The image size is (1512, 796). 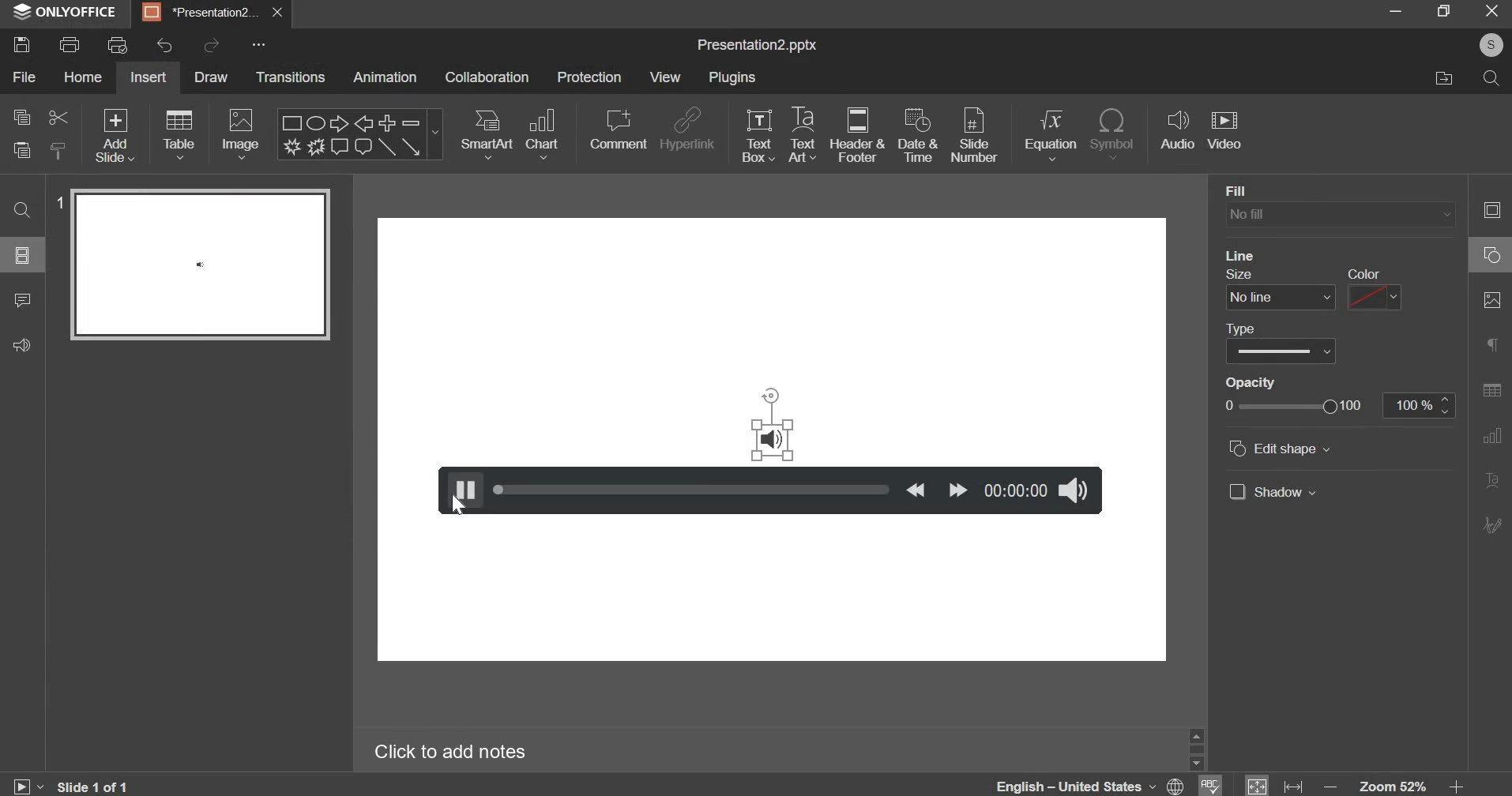 What do you see at coordinates (1340, 216) in the screenshot?
I see `no fill` at bounding box center [1340, 216].